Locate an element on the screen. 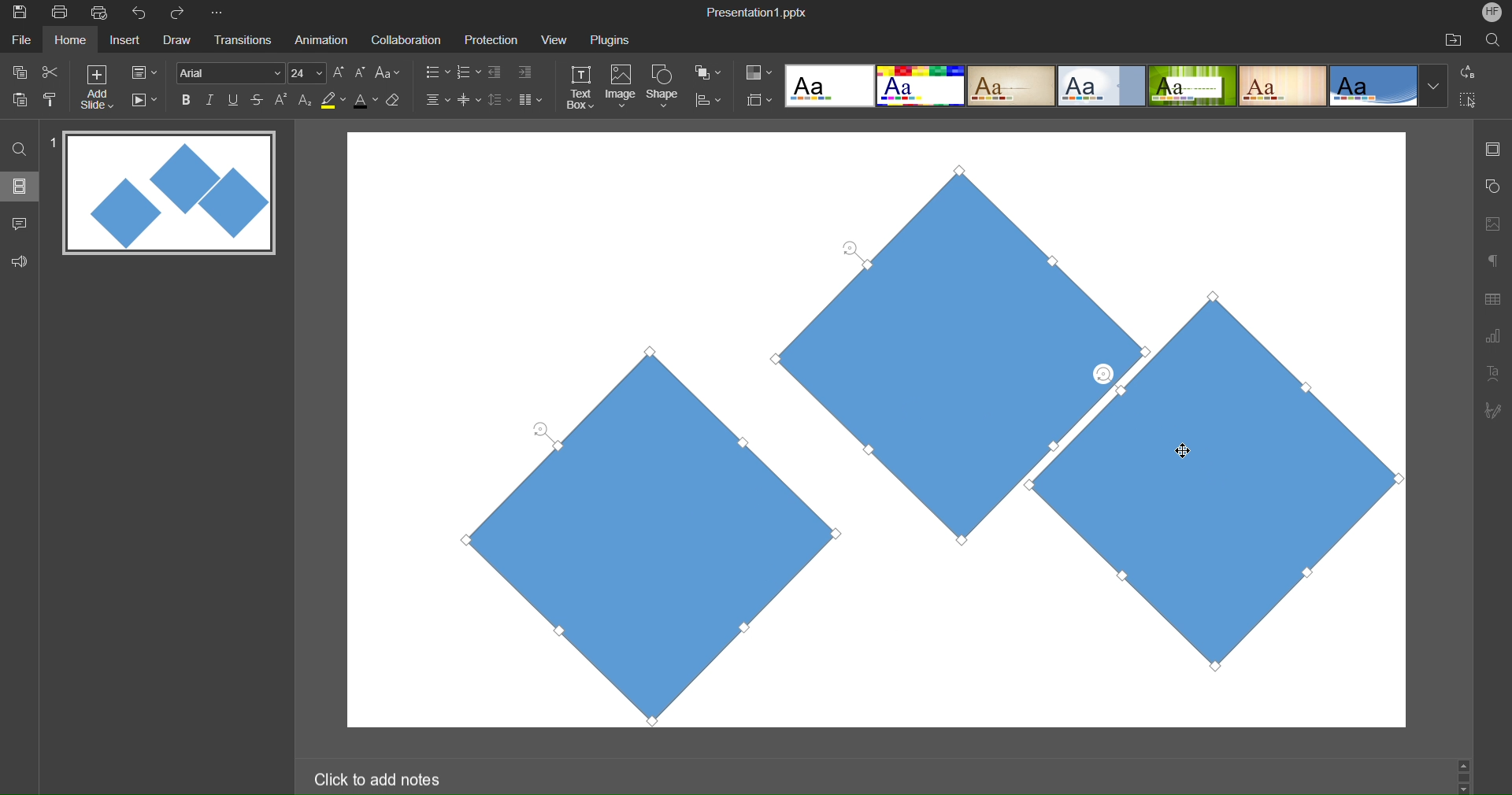  Shape 2 Selected is located at coordinates (982, 348).